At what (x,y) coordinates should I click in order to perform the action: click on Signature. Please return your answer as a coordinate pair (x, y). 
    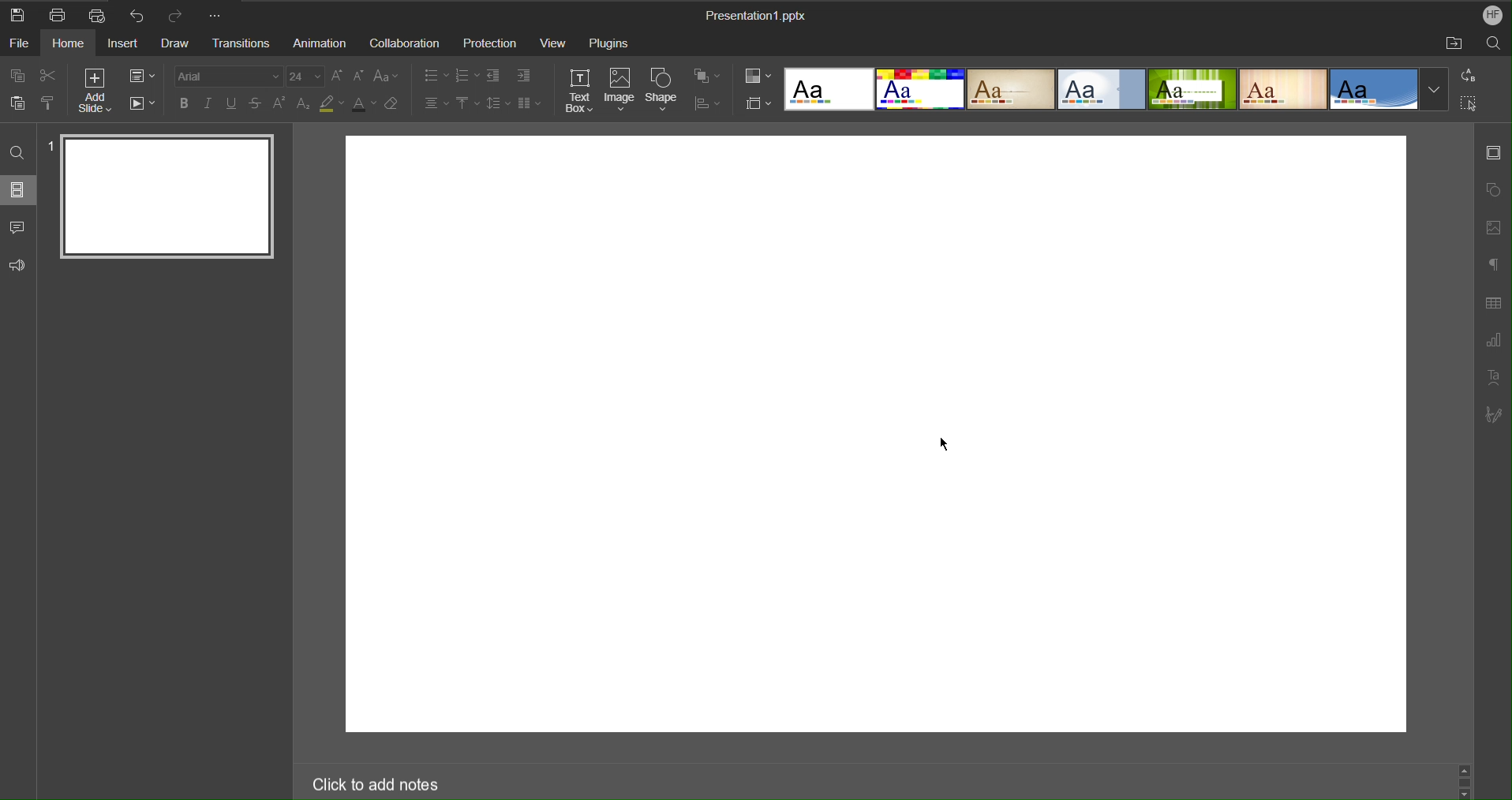
    Looking at the image, I should click on (1493, 417).